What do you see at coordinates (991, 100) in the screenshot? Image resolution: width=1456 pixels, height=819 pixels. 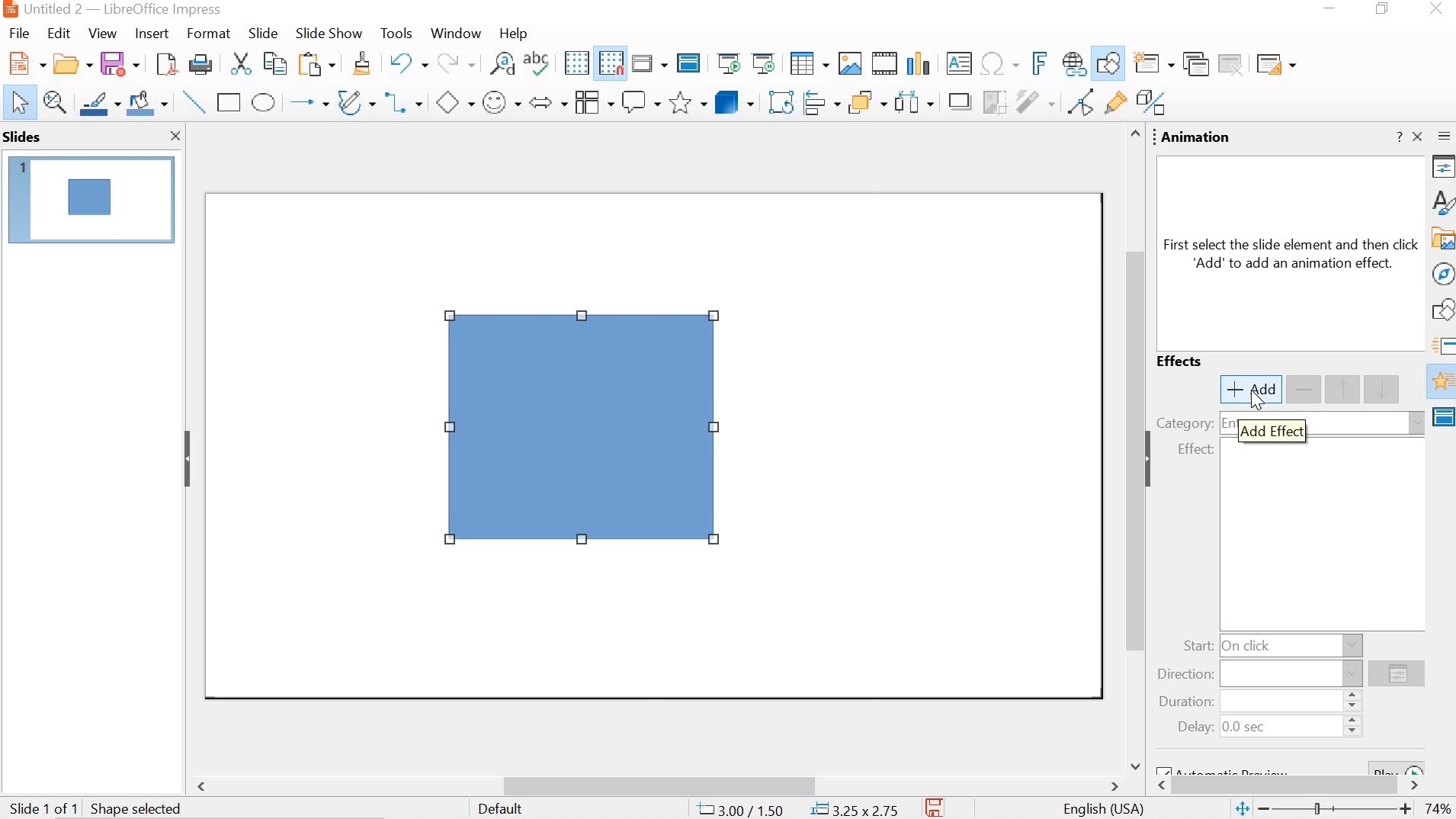 I see `crop image` at bounding box center [991, 100].